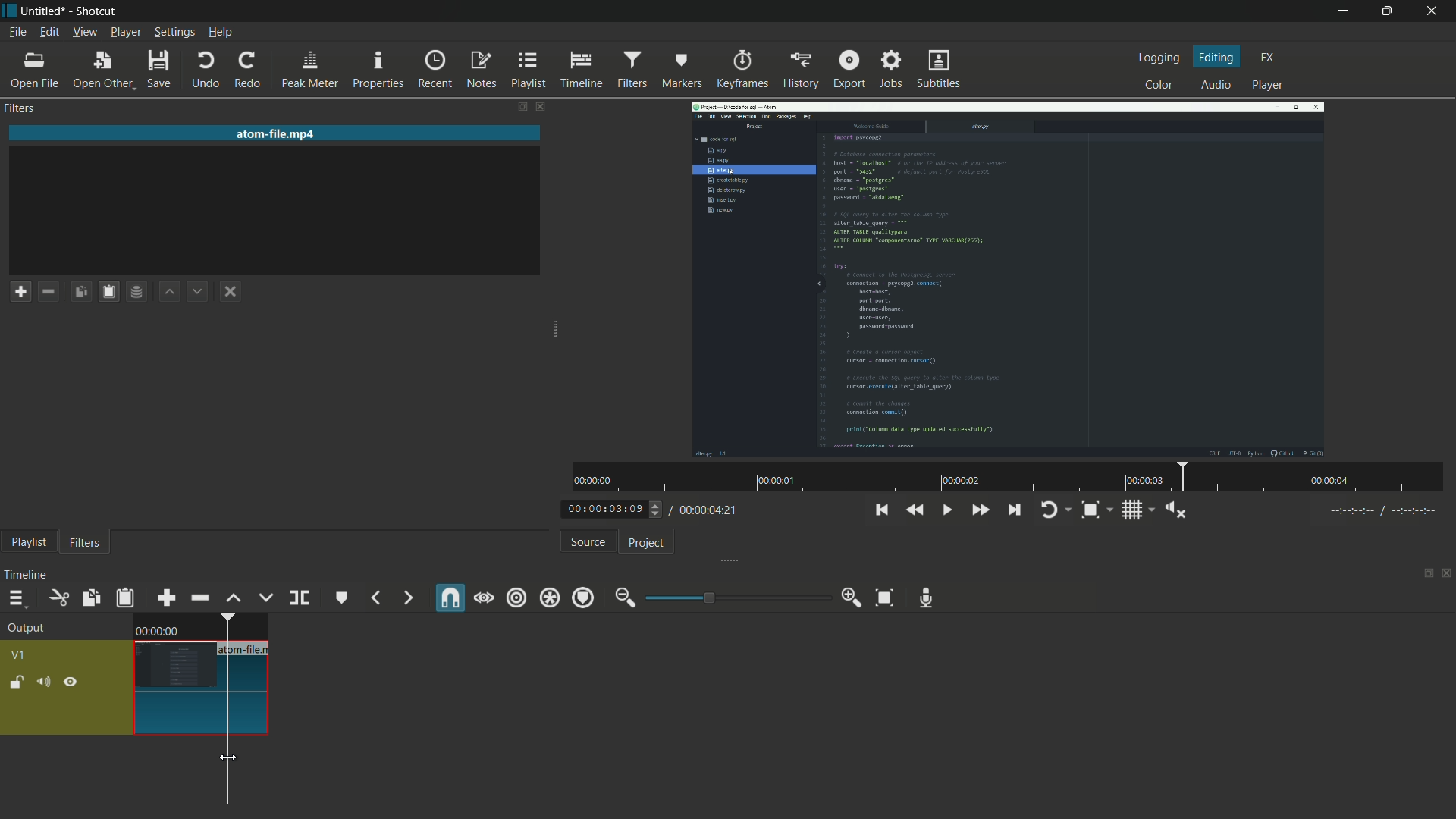  I want to click on overwrite, so click(267, 596).